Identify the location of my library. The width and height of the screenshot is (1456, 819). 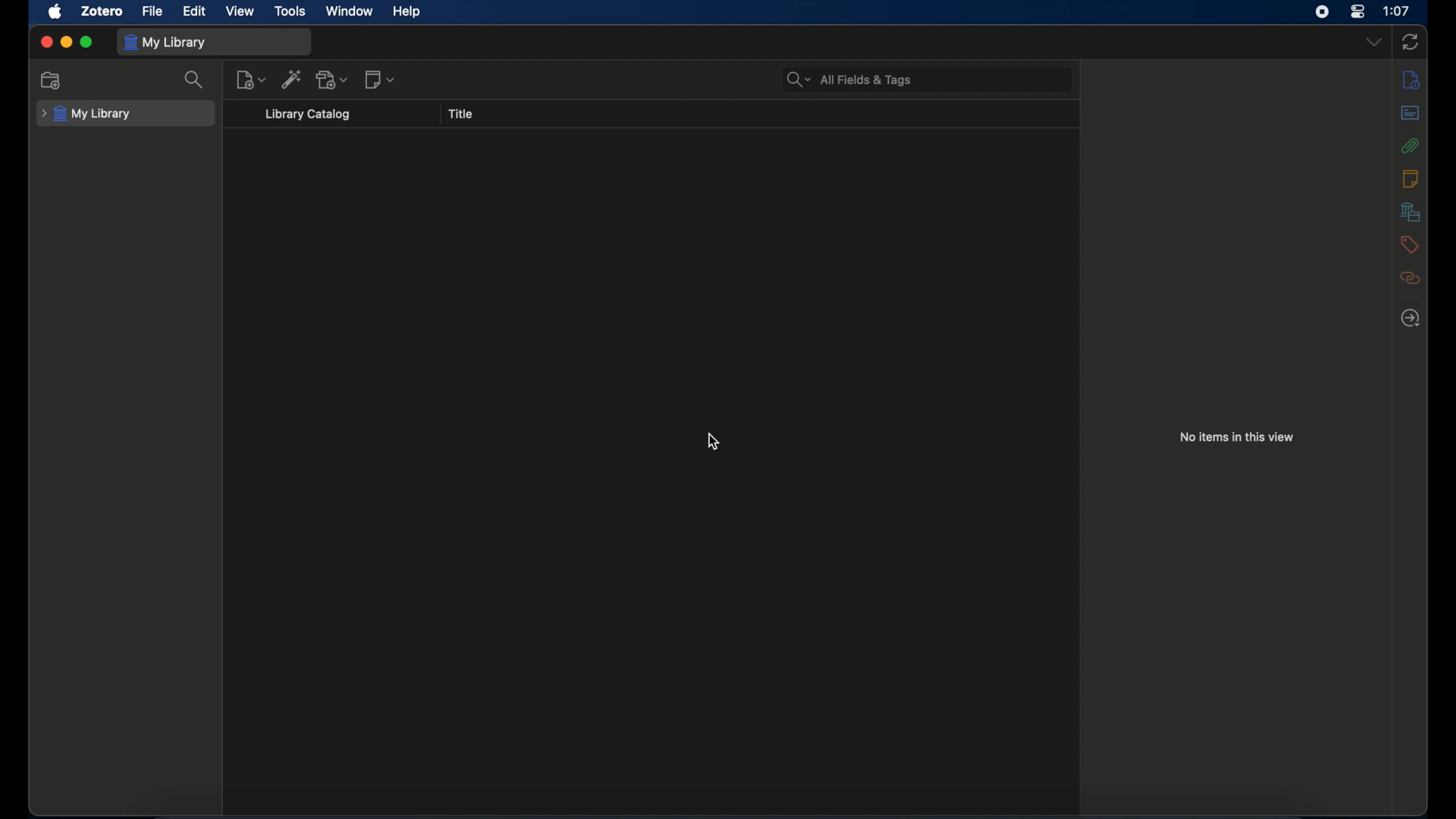
(86, 115).